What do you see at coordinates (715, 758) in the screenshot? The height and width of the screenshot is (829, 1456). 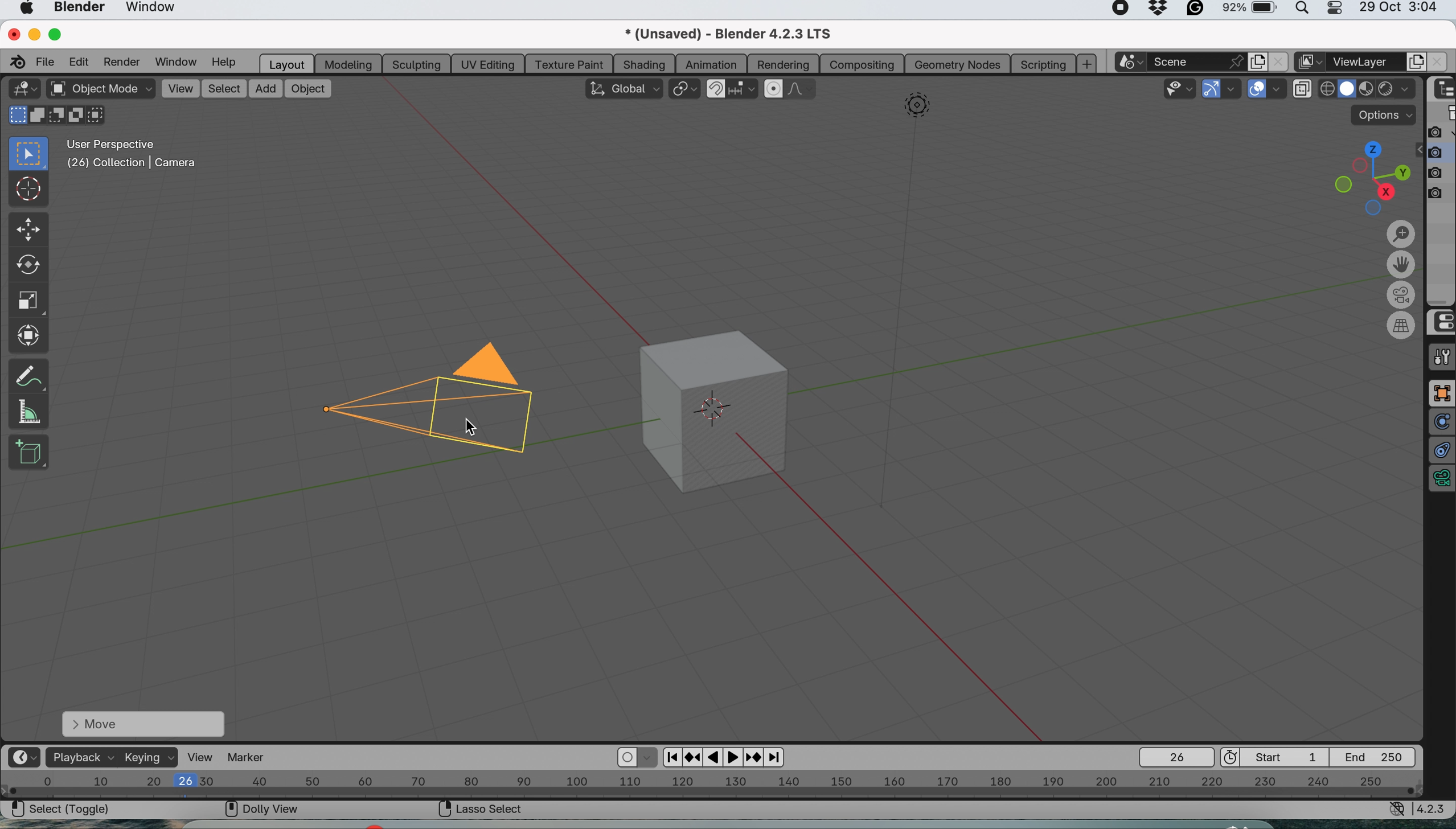 I see `pause` at bounding box center [715, 758].